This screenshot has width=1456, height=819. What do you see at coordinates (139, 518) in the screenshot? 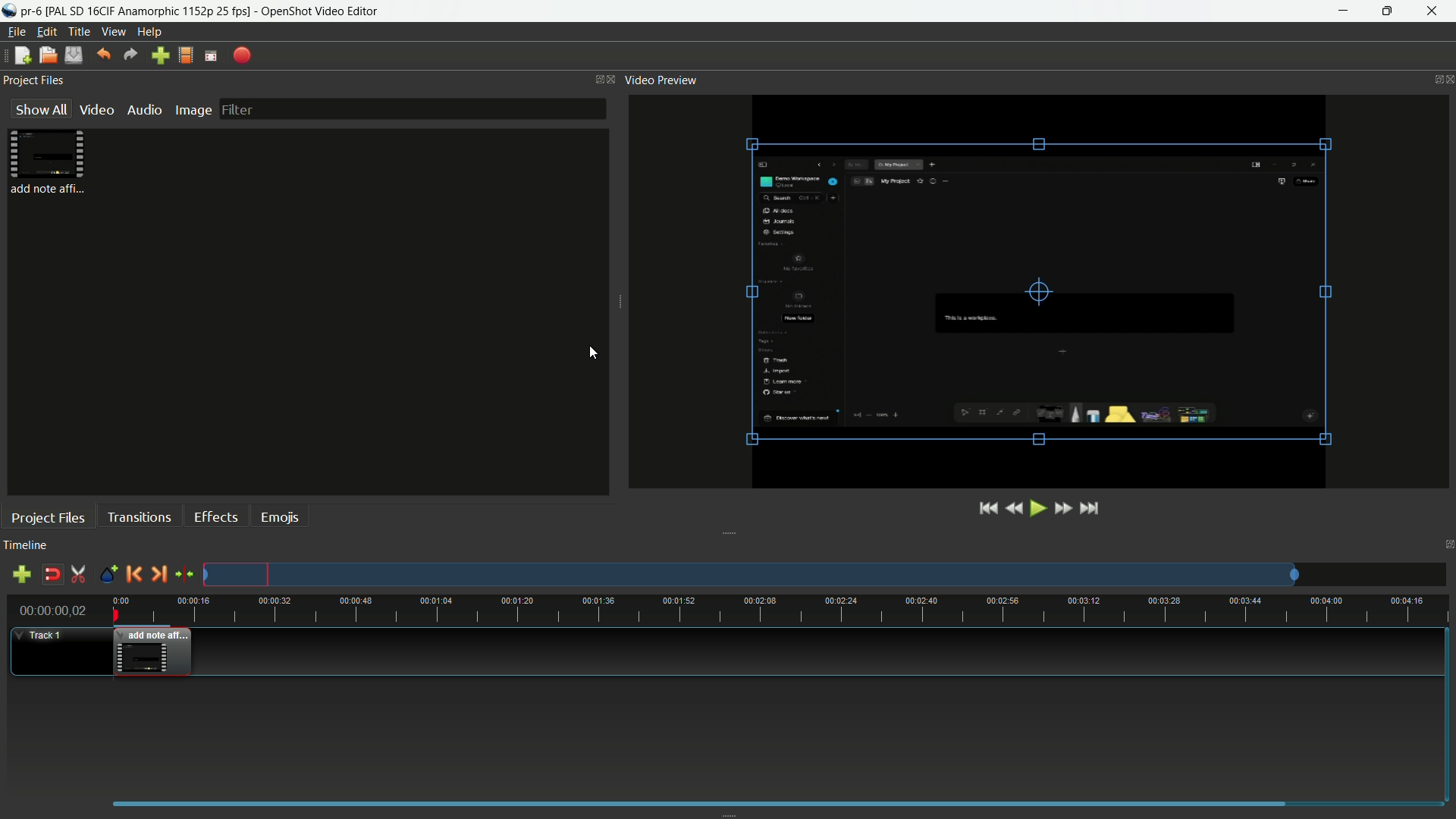
I see `transitions` at bounding box center [139, 518].